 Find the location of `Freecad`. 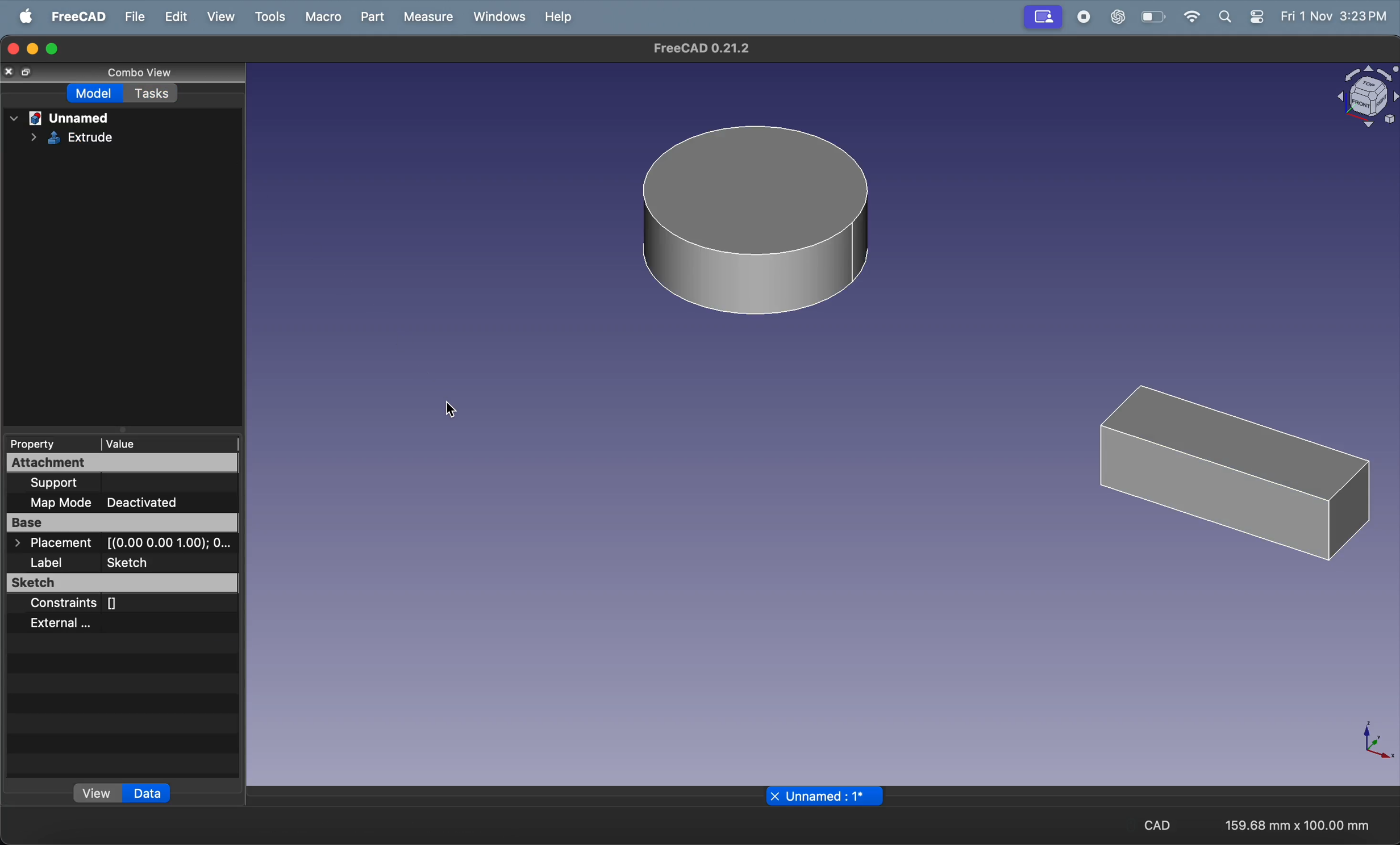

Freecad is located at coordinates (76, 16).